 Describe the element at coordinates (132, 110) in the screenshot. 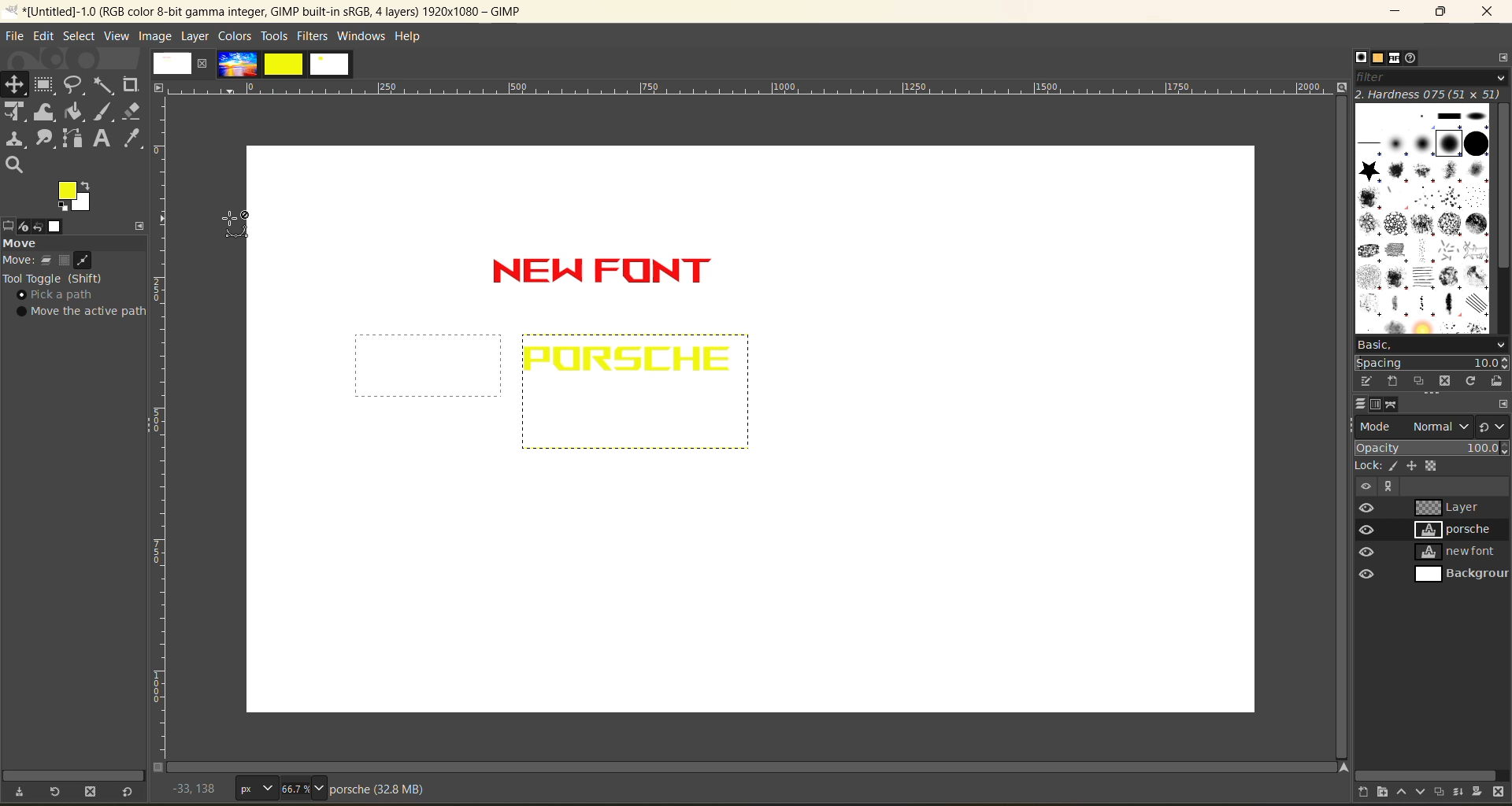

I see `erase` at that location.